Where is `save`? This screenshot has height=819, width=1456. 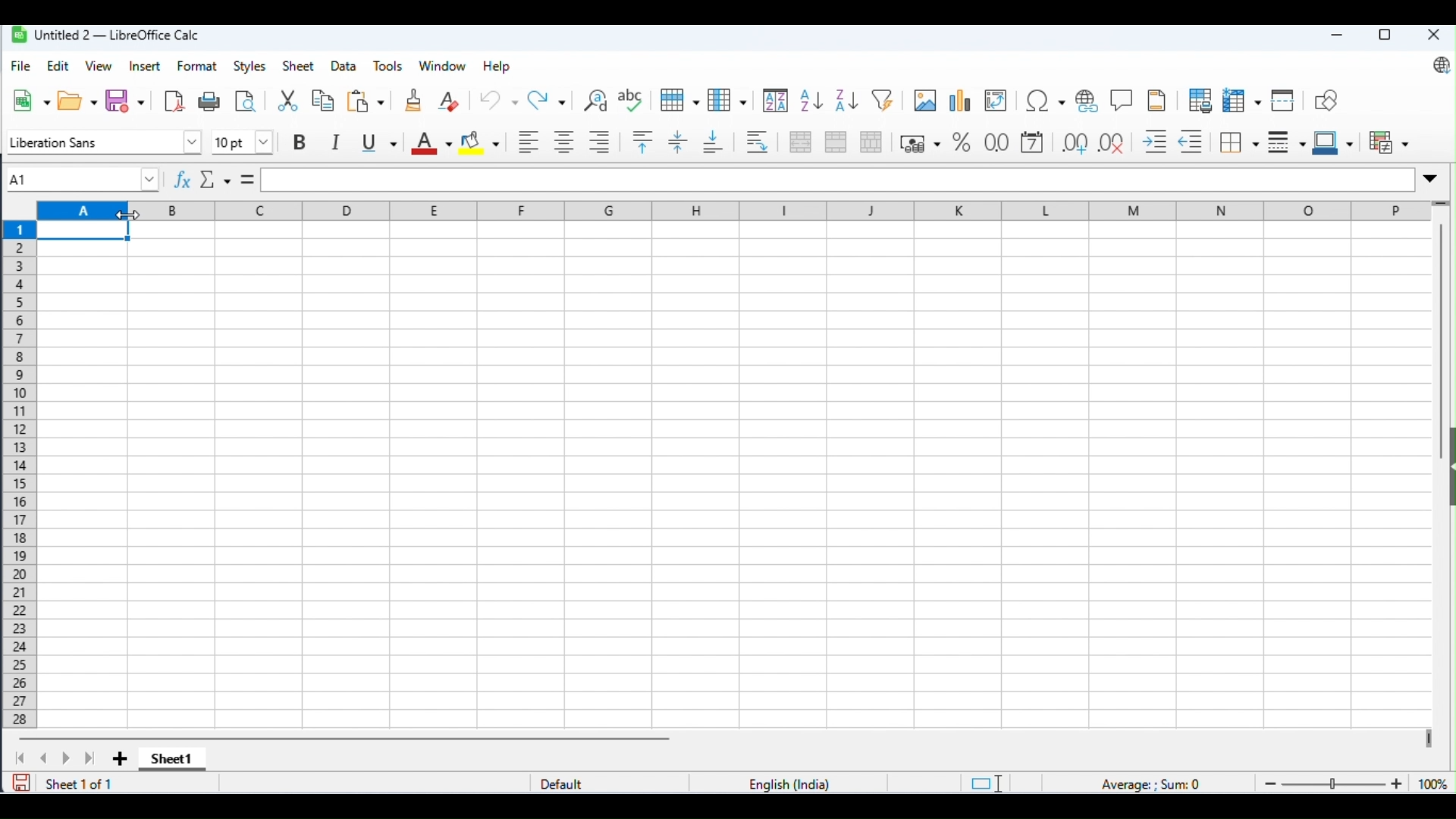
save is located at coordinates (22, 782).